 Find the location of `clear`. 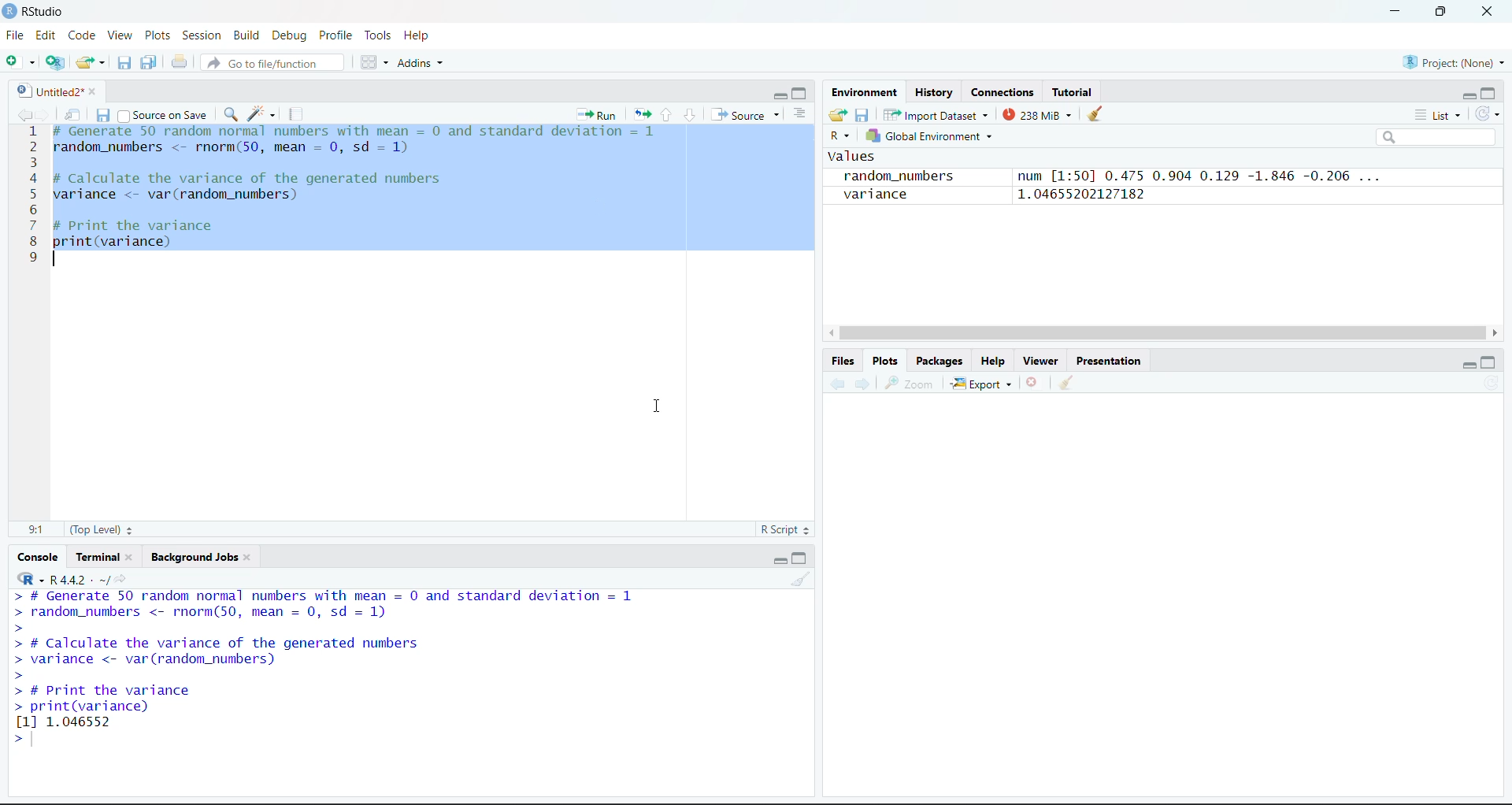

clear is located at coordinates (250, 557).